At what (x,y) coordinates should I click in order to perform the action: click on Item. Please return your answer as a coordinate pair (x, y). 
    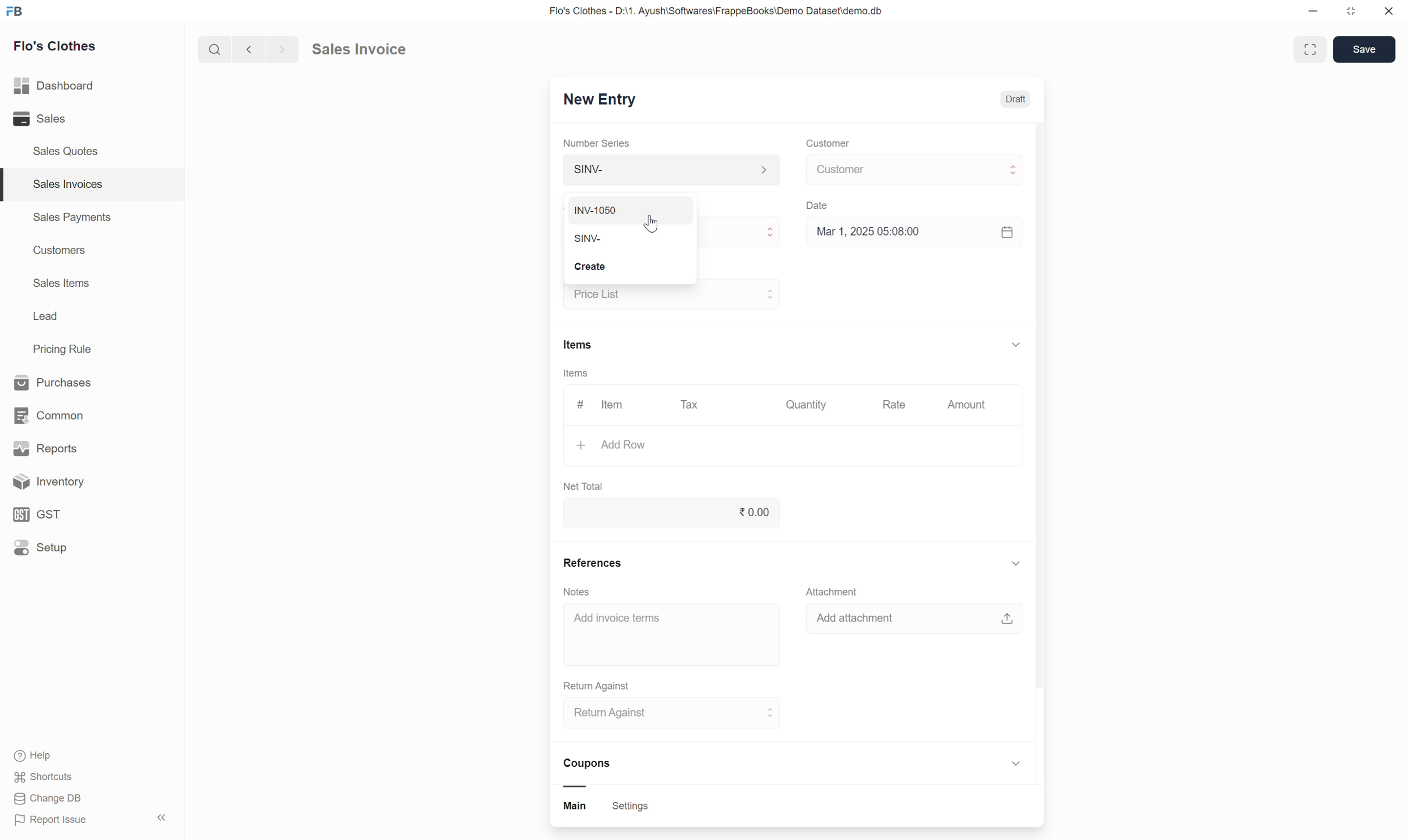
    Looking at the image, I should click on (614, 405).